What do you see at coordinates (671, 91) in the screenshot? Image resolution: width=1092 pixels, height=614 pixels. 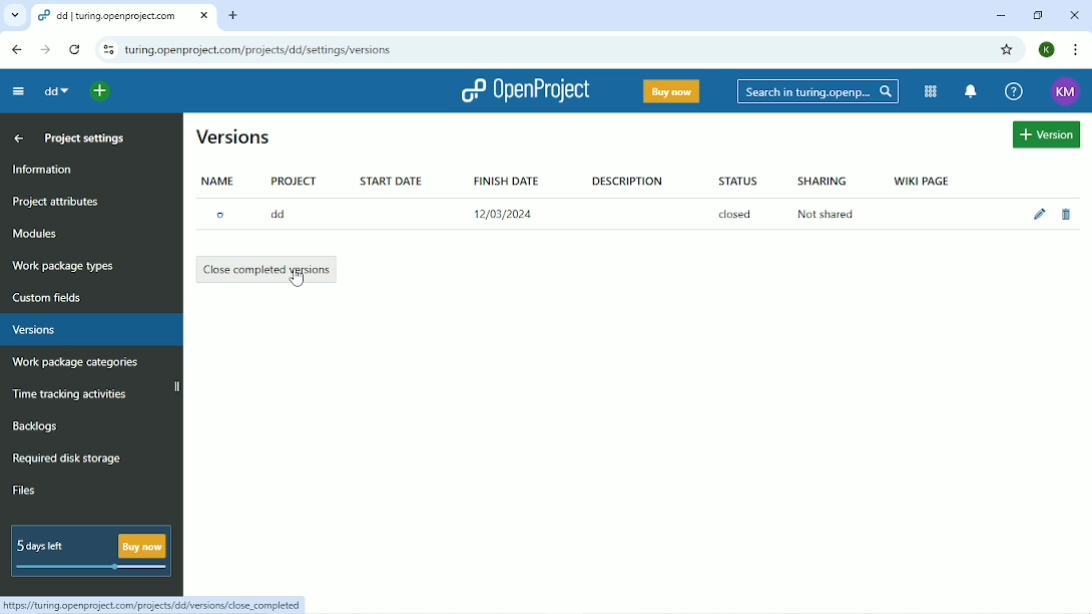 I see `Buy now` at bounding box center [671, 91].